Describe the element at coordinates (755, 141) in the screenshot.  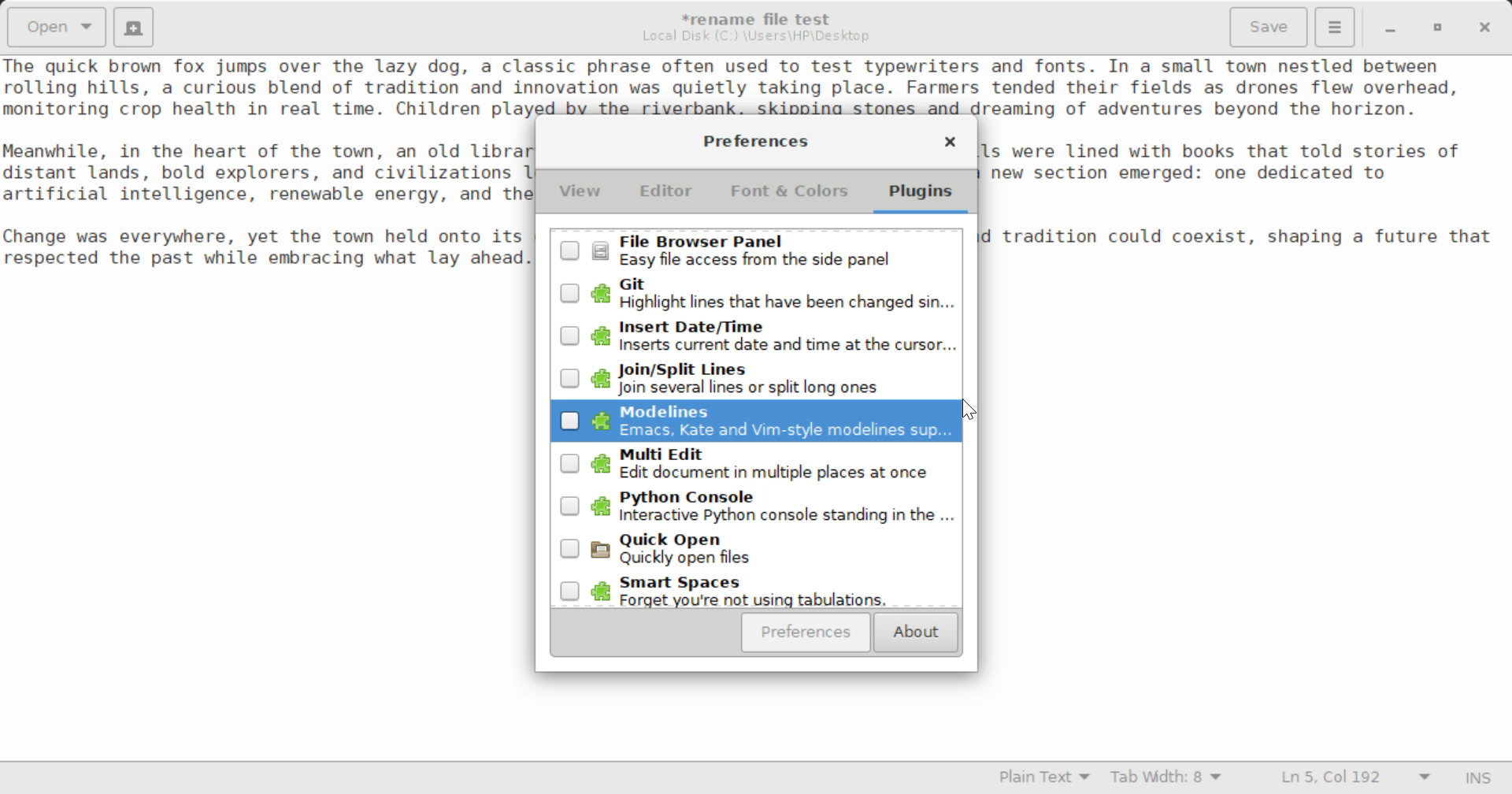
I see `Preferences Setting Window Heading` at that location.